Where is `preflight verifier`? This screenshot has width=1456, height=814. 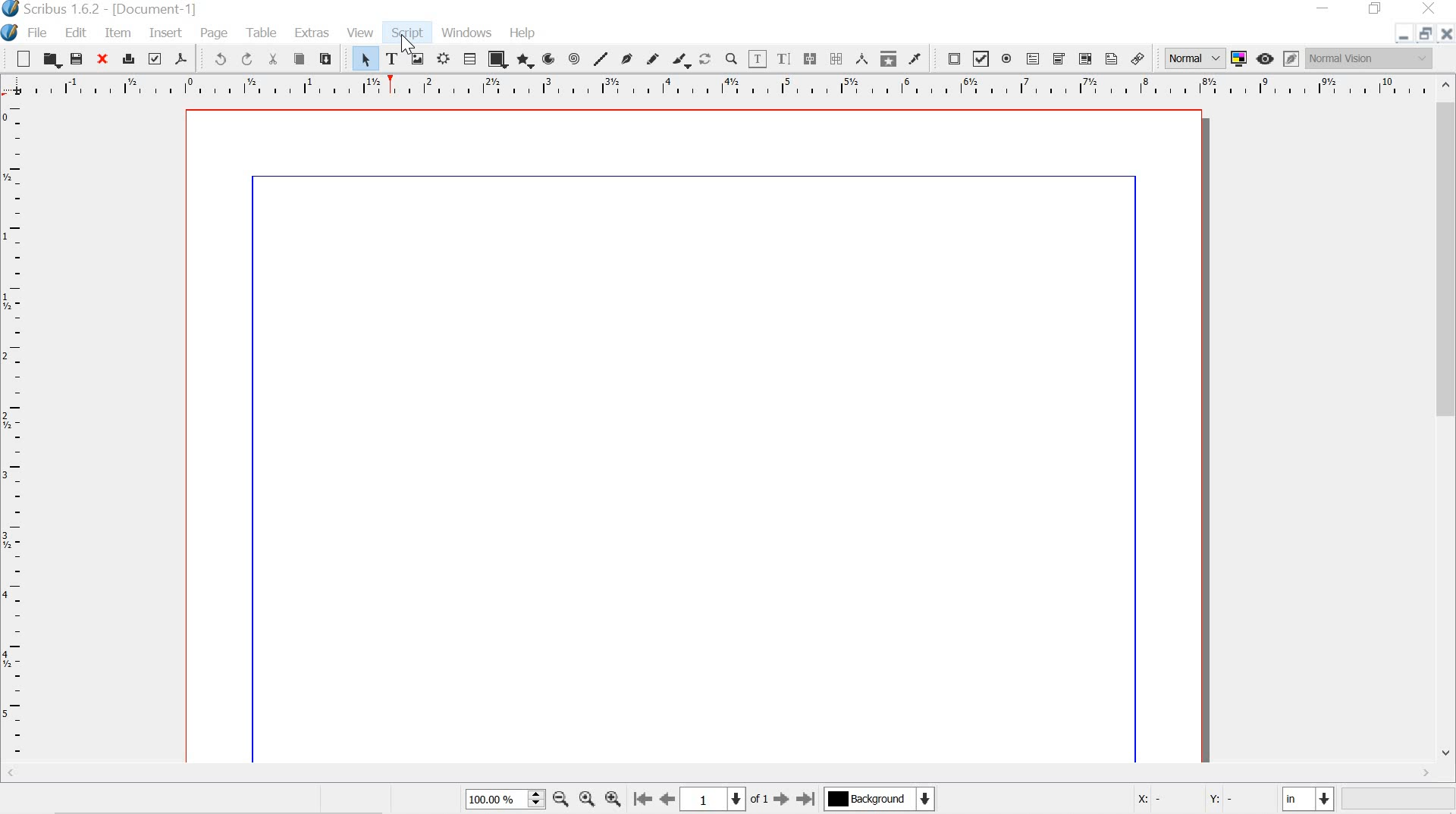
preflight verifier is located at coordinates (155, 58).